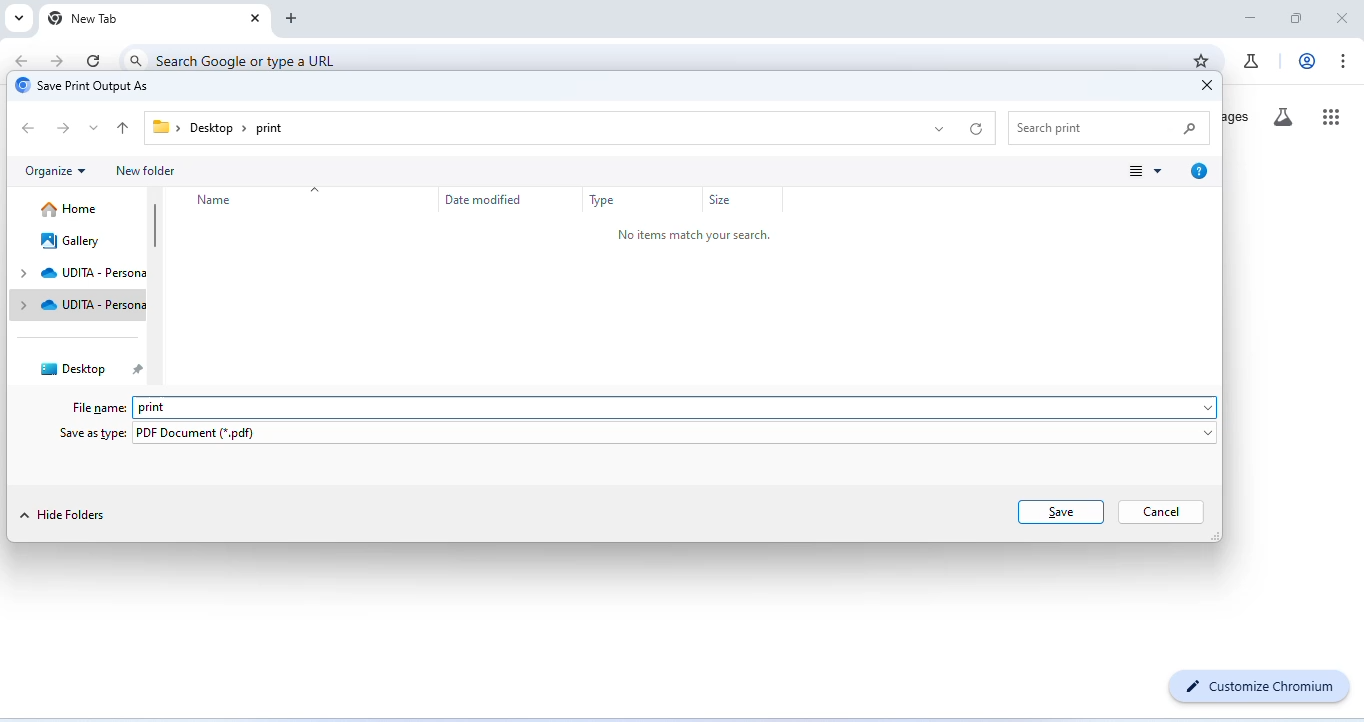 Image resolution: width=1364 pixels, height=722 pixels. Describe the element at coordinates (698, 236) in the screenshot. I see `no items match your search` at that location.